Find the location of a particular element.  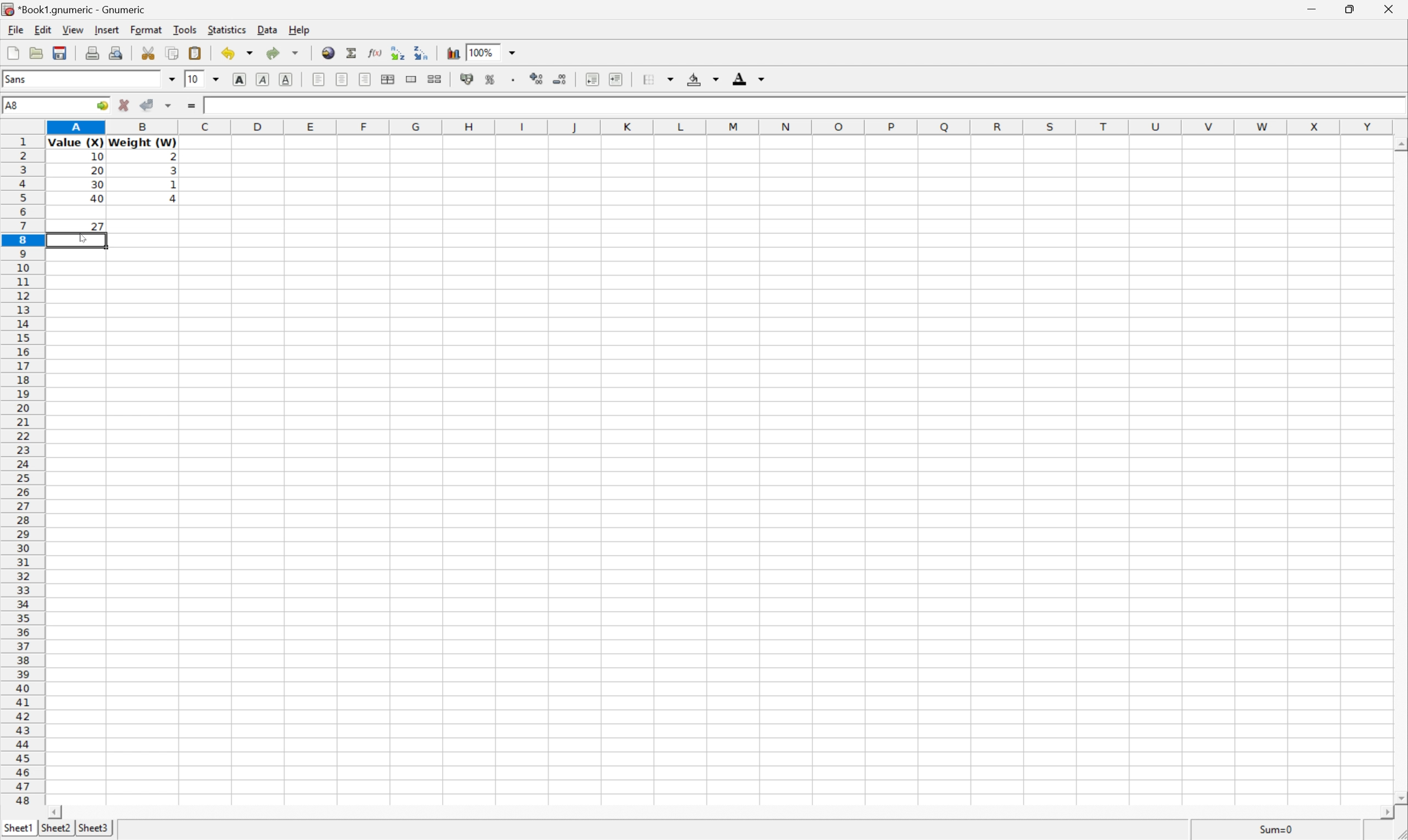

Increase indent, and align the contents to the left is located at coordinates (620, 78).